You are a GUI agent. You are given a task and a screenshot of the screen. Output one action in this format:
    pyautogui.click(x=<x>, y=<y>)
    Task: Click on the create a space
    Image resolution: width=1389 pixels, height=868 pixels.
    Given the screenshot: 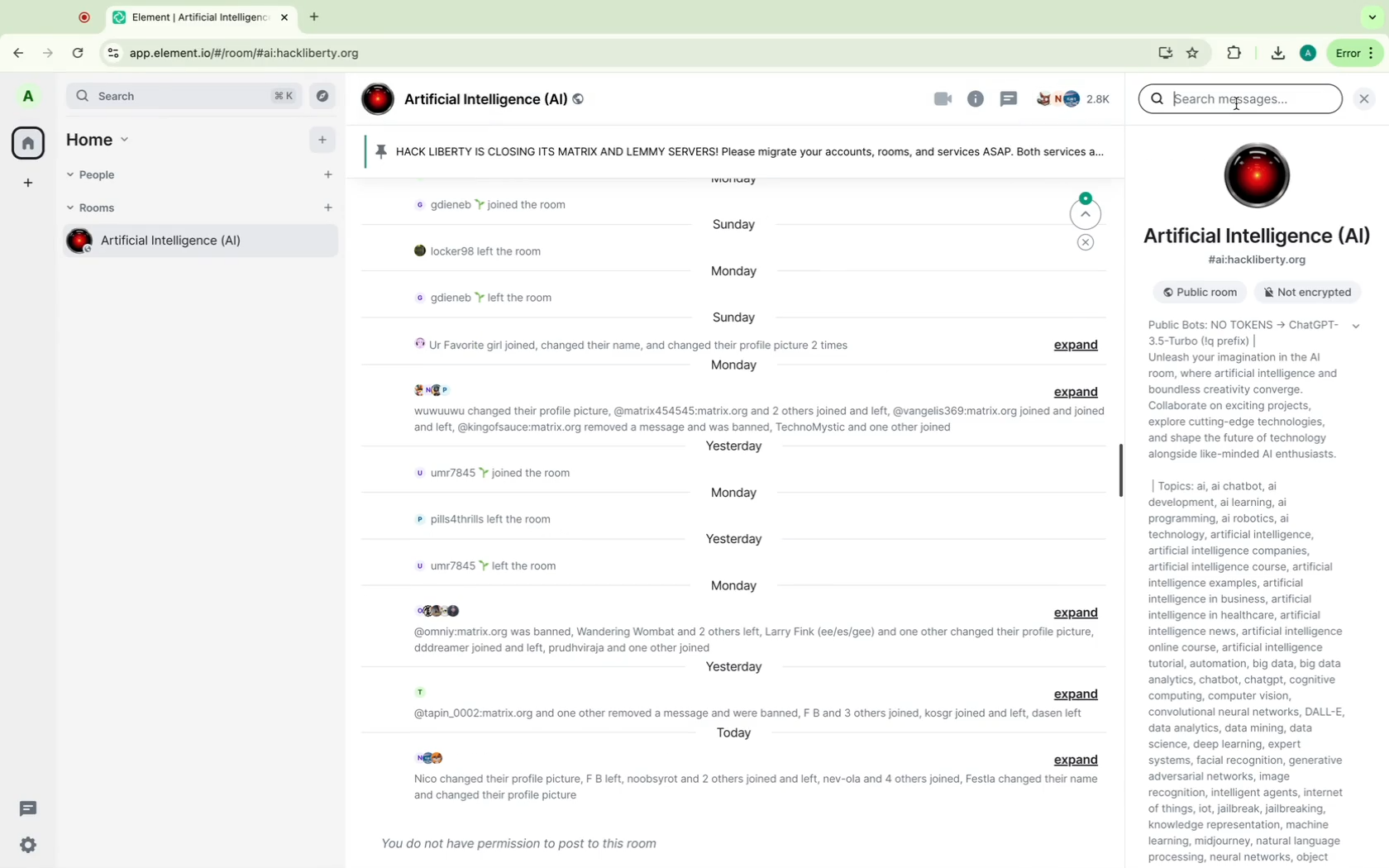 What is the action you would take?
    pyautogui.click(x=29, y=184)
    